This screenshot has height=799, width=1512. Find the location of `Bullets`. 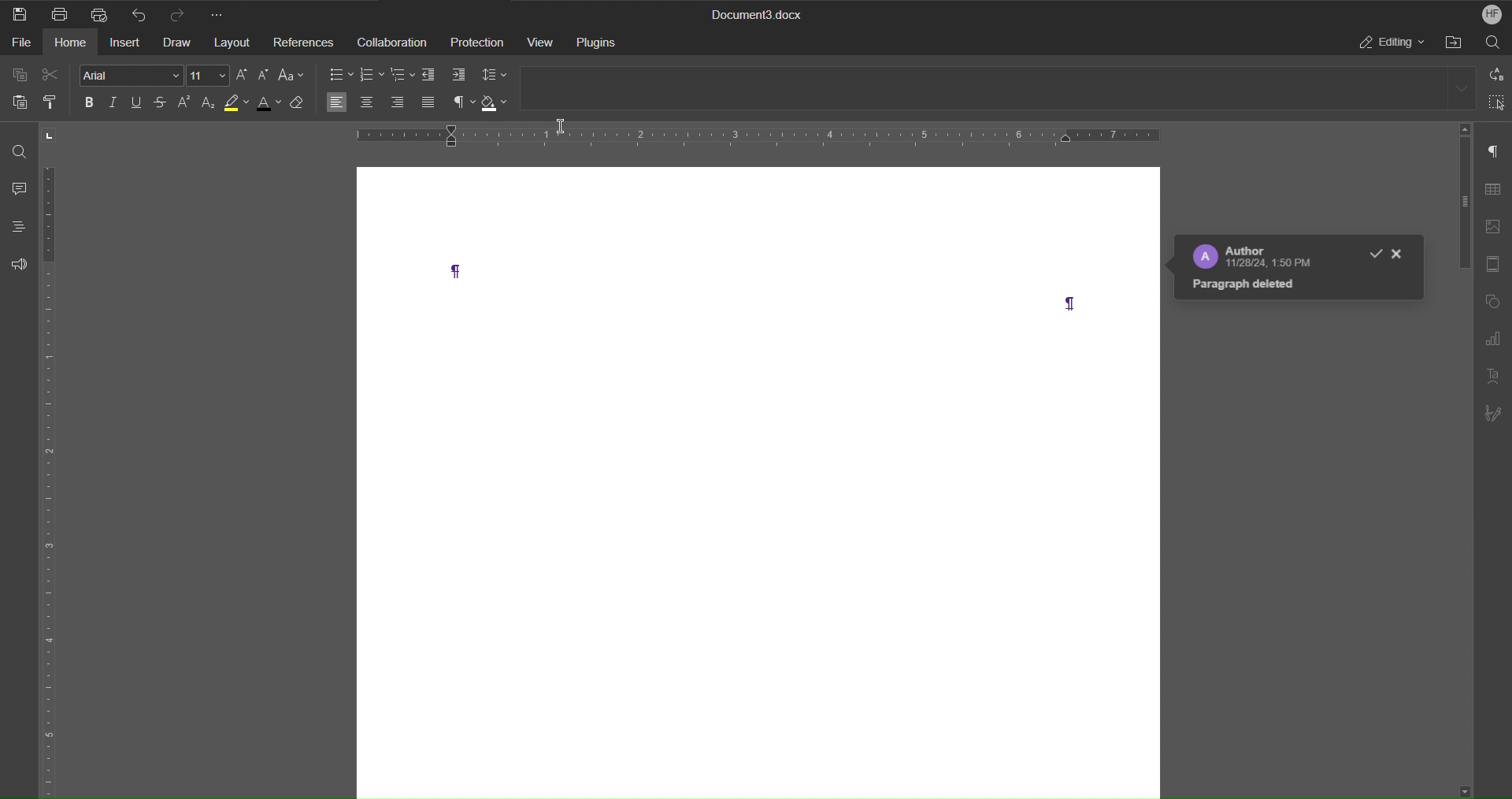

Bullets is located at coordinates (339, 74).